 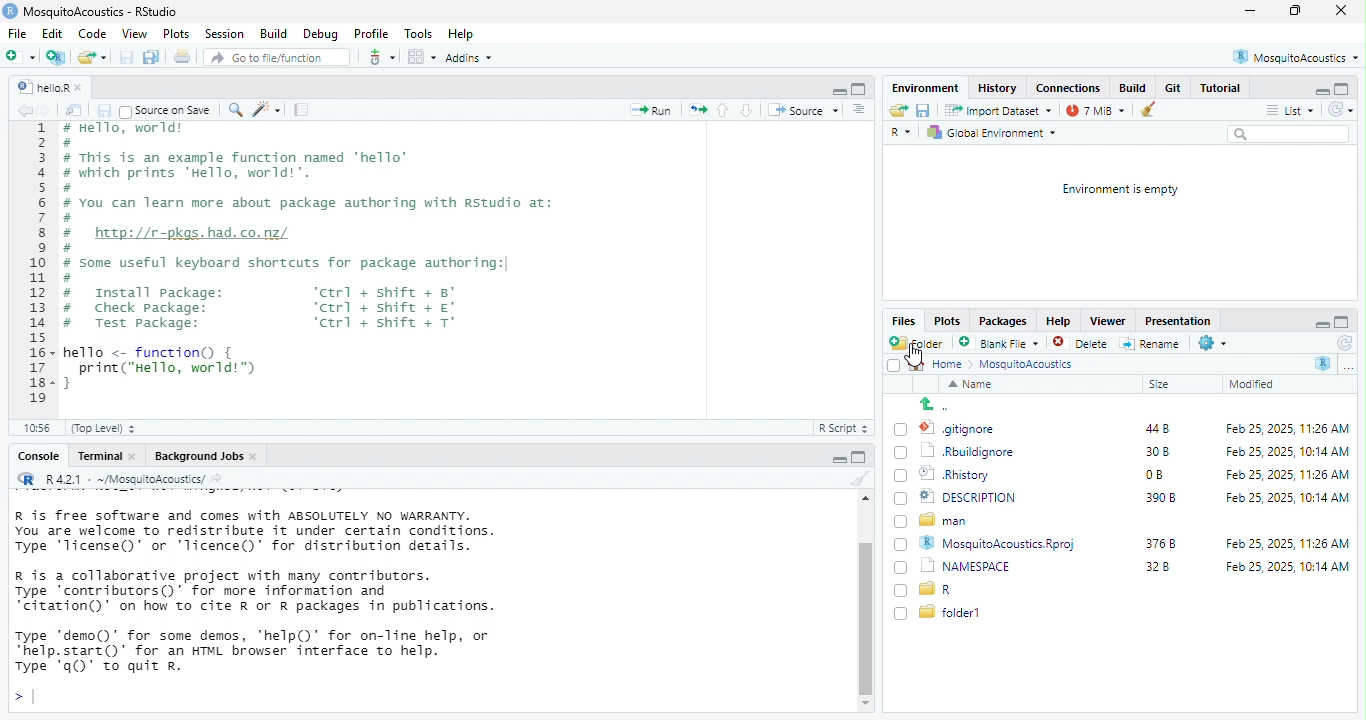 I want to click on (Top Level) , so click(x=111, y=429).